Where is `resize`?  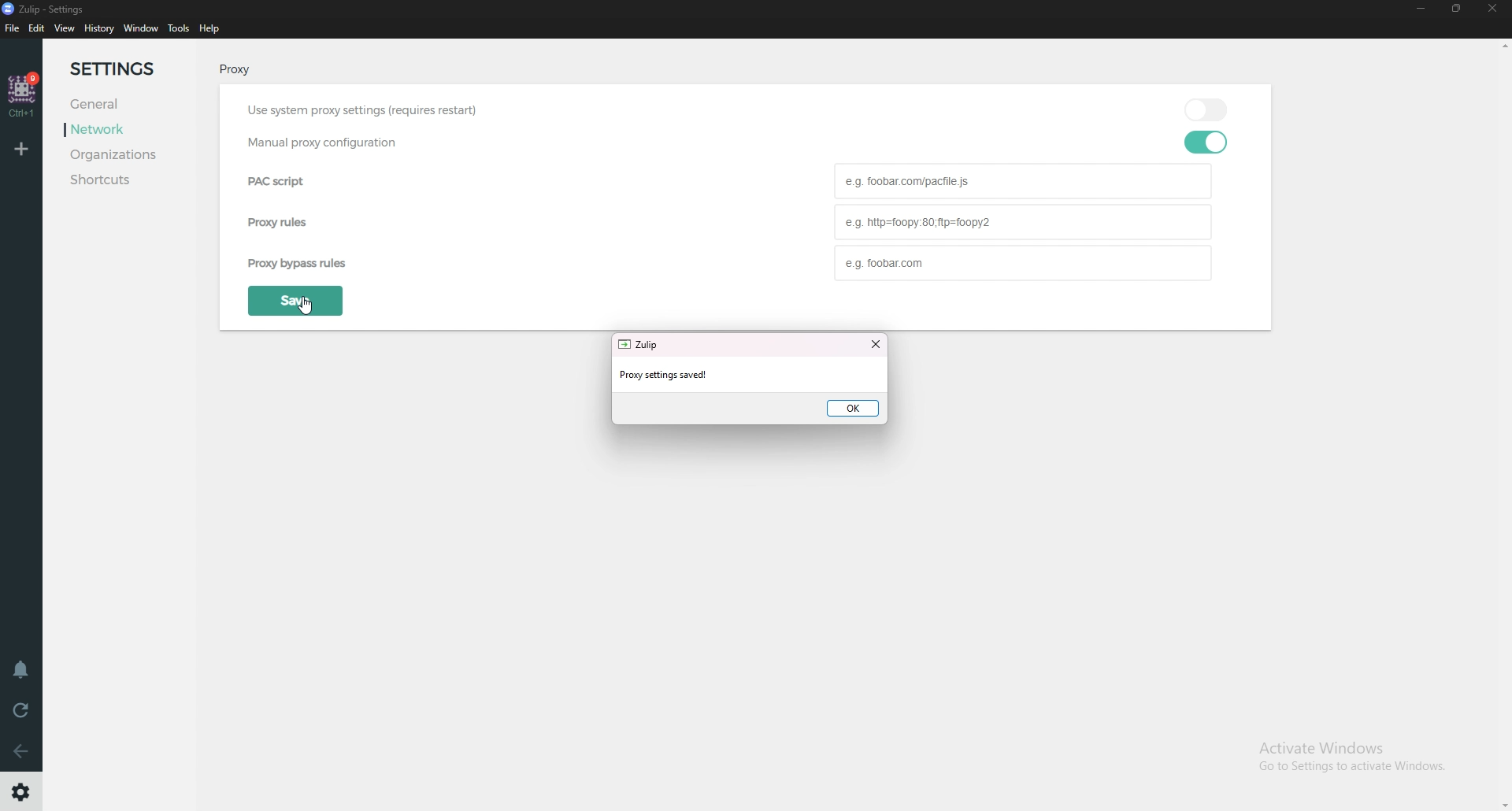 resize is located at coordinates (1458, 9).